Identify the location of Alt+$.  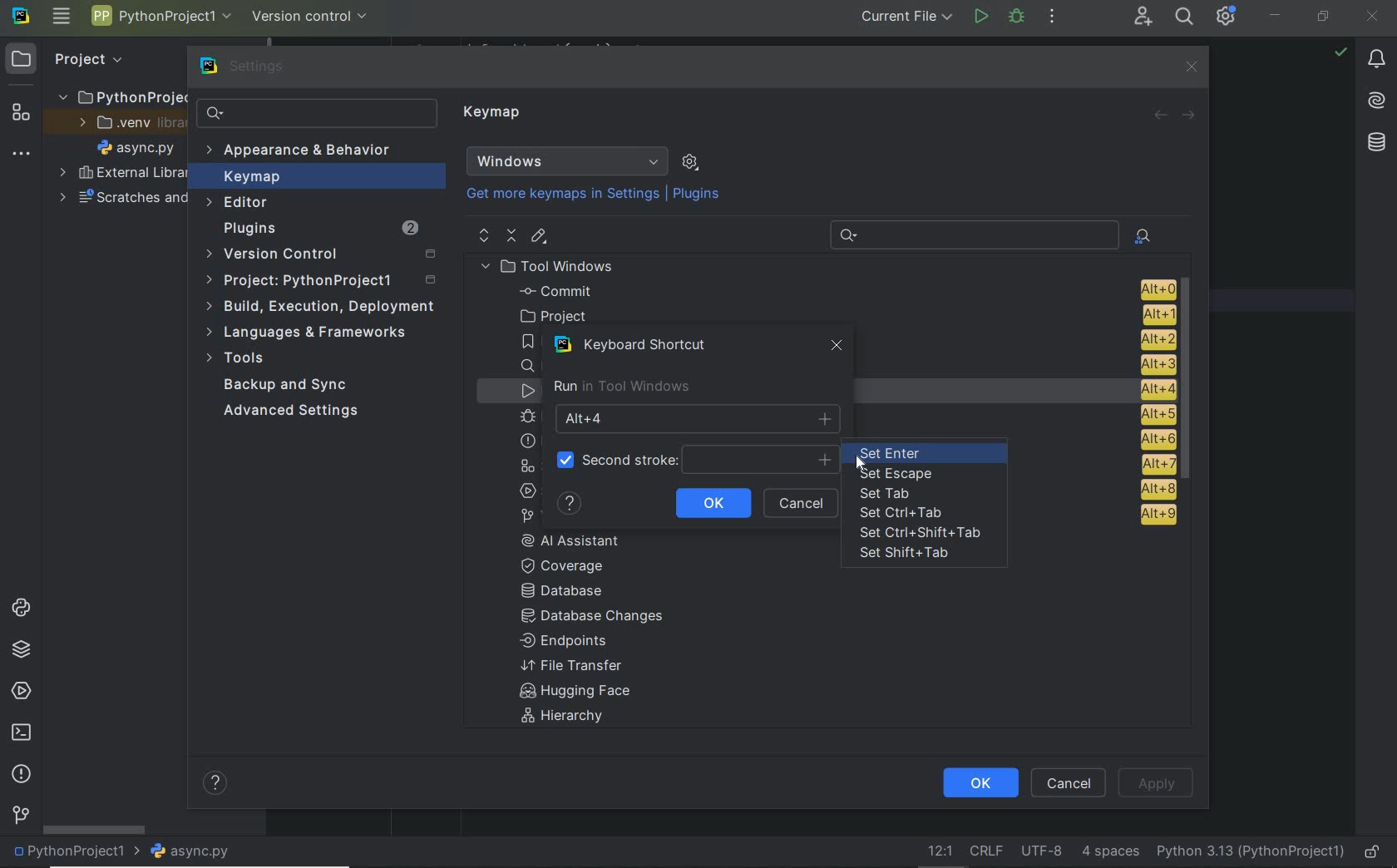
(699, 418).